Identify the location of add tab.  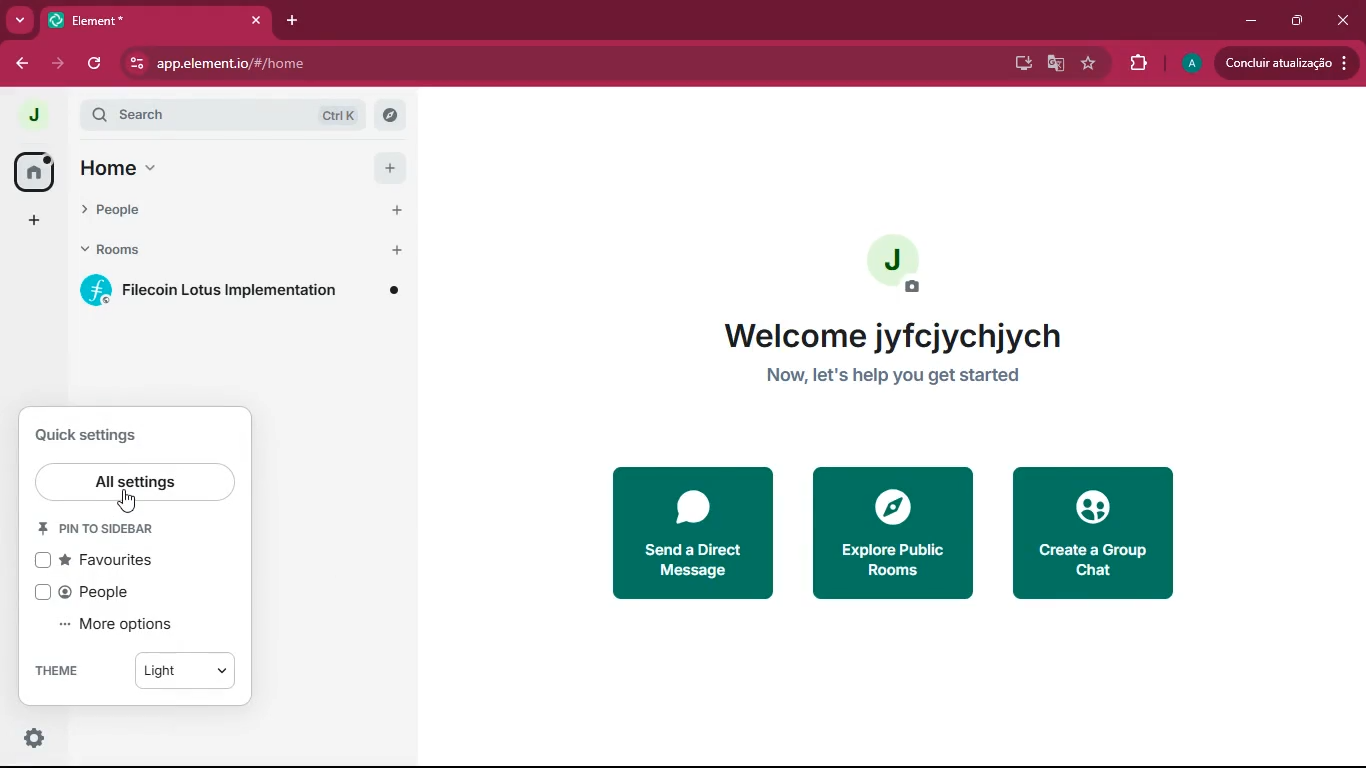
(289, 19).